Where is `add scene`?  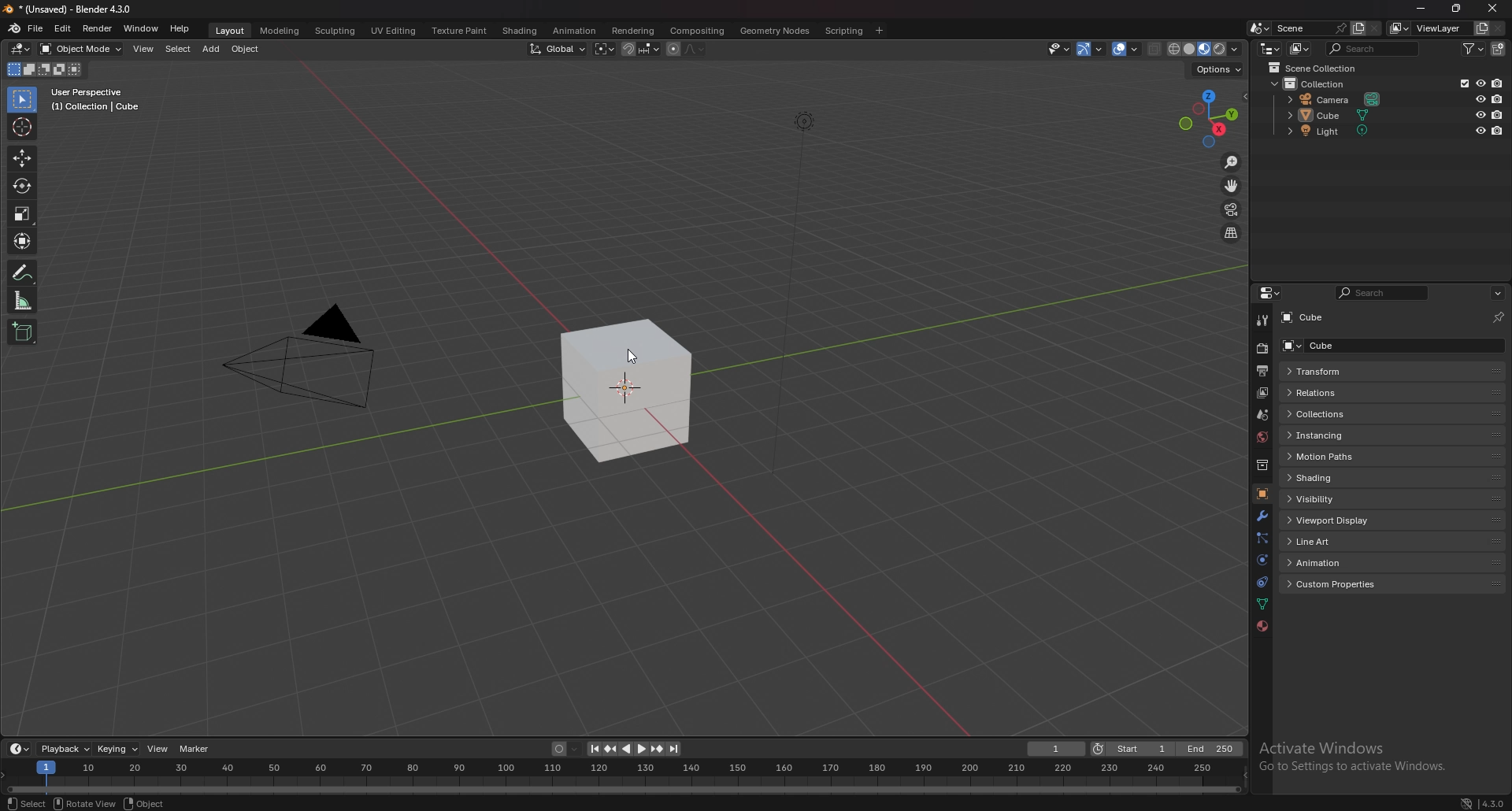
add scene is located at coordinates (1358, 28).